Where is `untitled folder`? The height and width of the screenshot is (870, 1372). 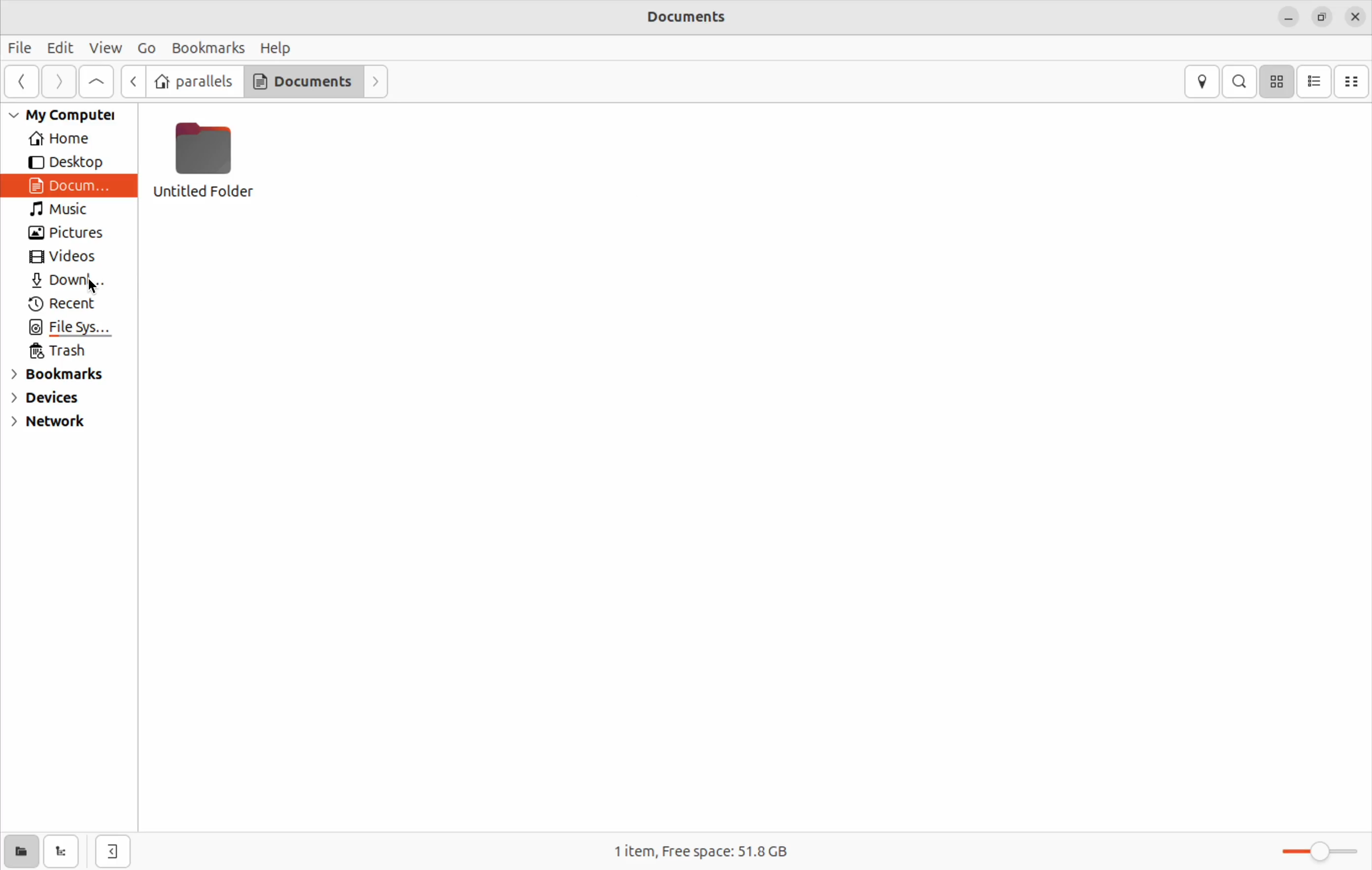 untitled folder is located at coordinates (210, 160).